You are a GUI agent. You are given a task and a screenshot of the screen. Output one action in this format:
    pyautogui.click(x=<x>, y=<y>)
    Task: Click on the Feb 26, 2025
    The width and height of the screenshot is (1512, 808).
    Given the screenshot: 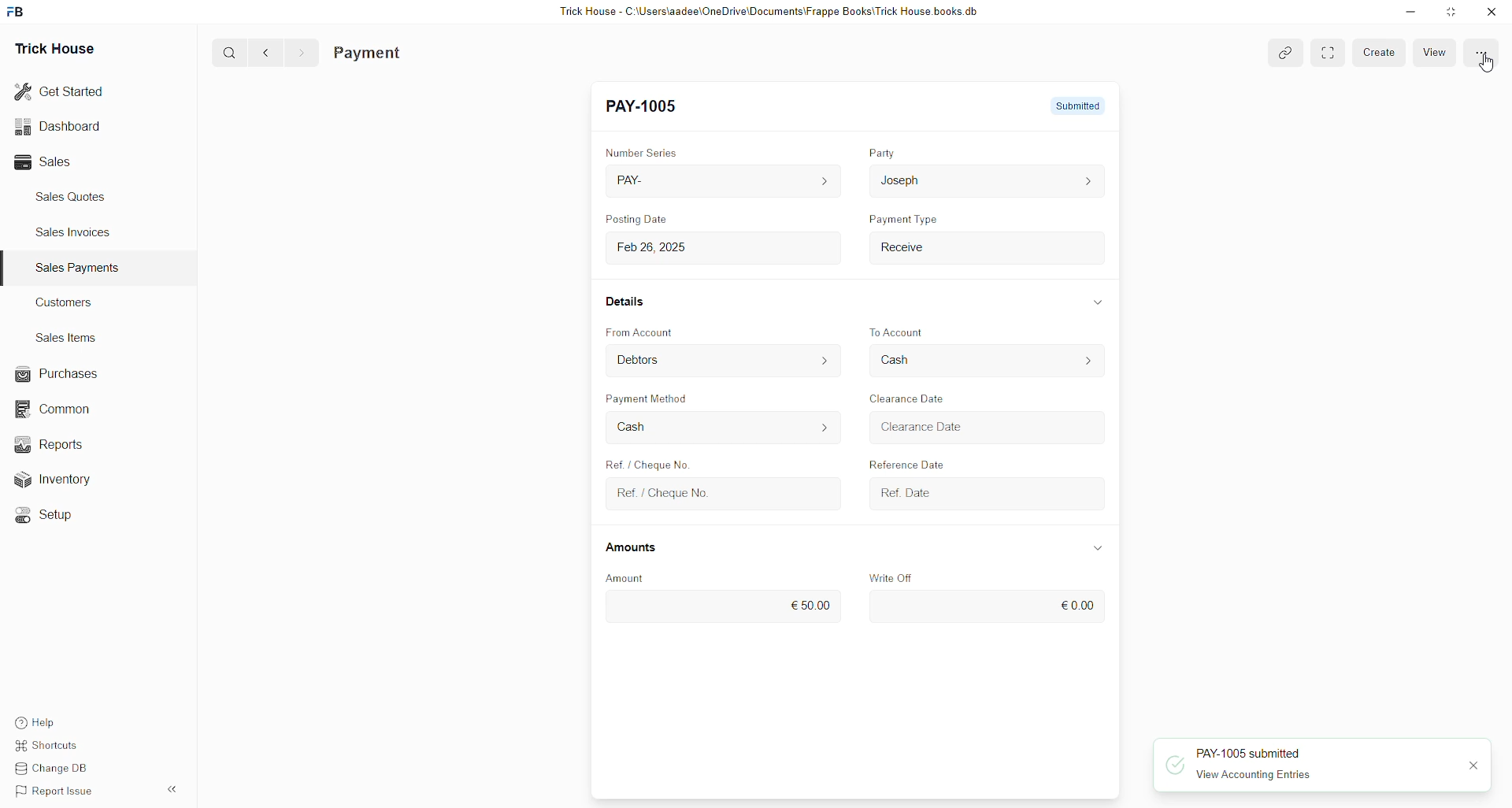 What is the action you would take?
    pyautogui.click(x=725, y=249)
    